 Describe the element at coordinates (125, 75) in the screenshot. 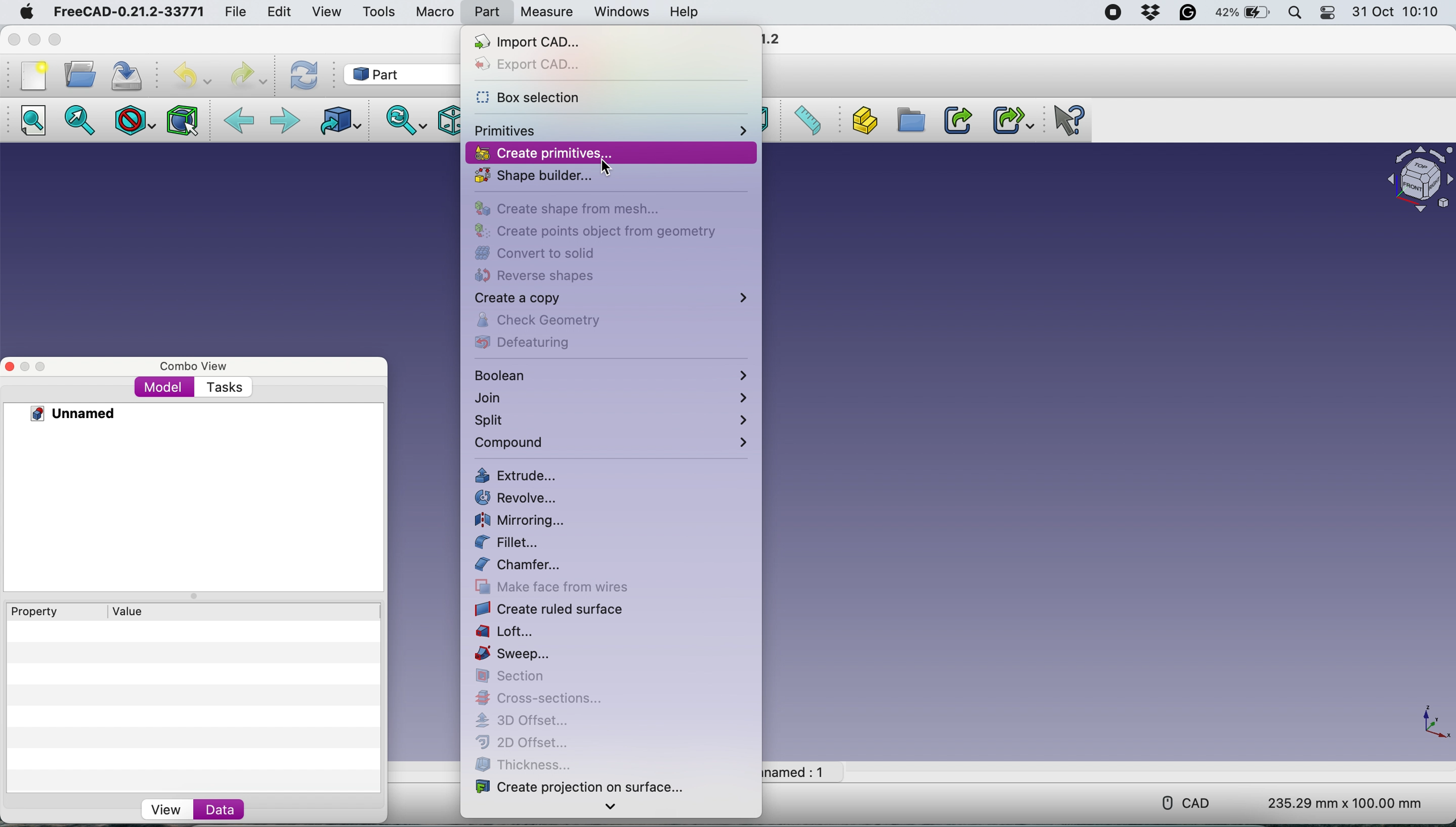

I see `Save` at that location.